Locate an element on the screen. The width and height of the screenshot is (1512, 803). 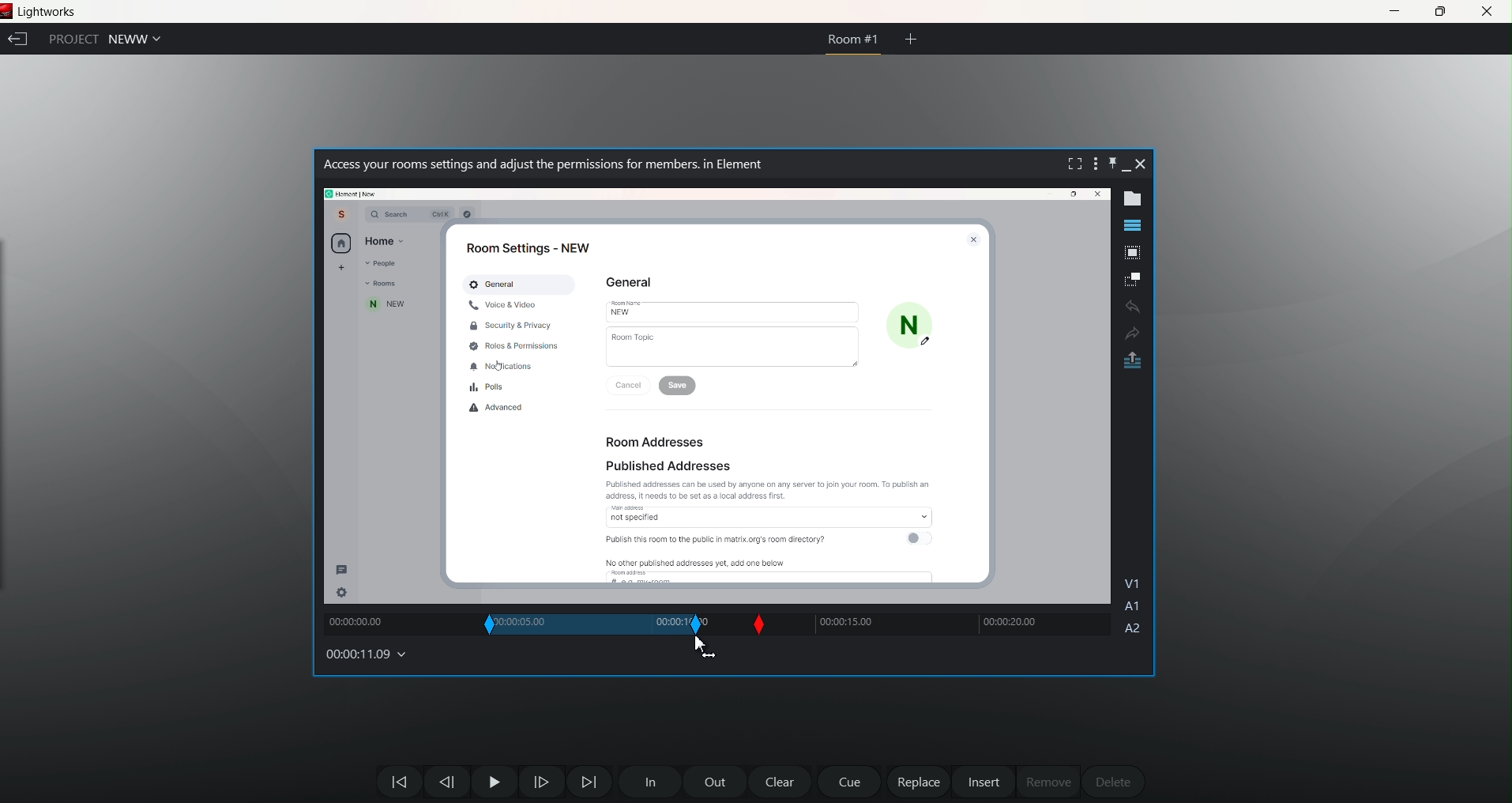
path is located at coordinates (351, 193).